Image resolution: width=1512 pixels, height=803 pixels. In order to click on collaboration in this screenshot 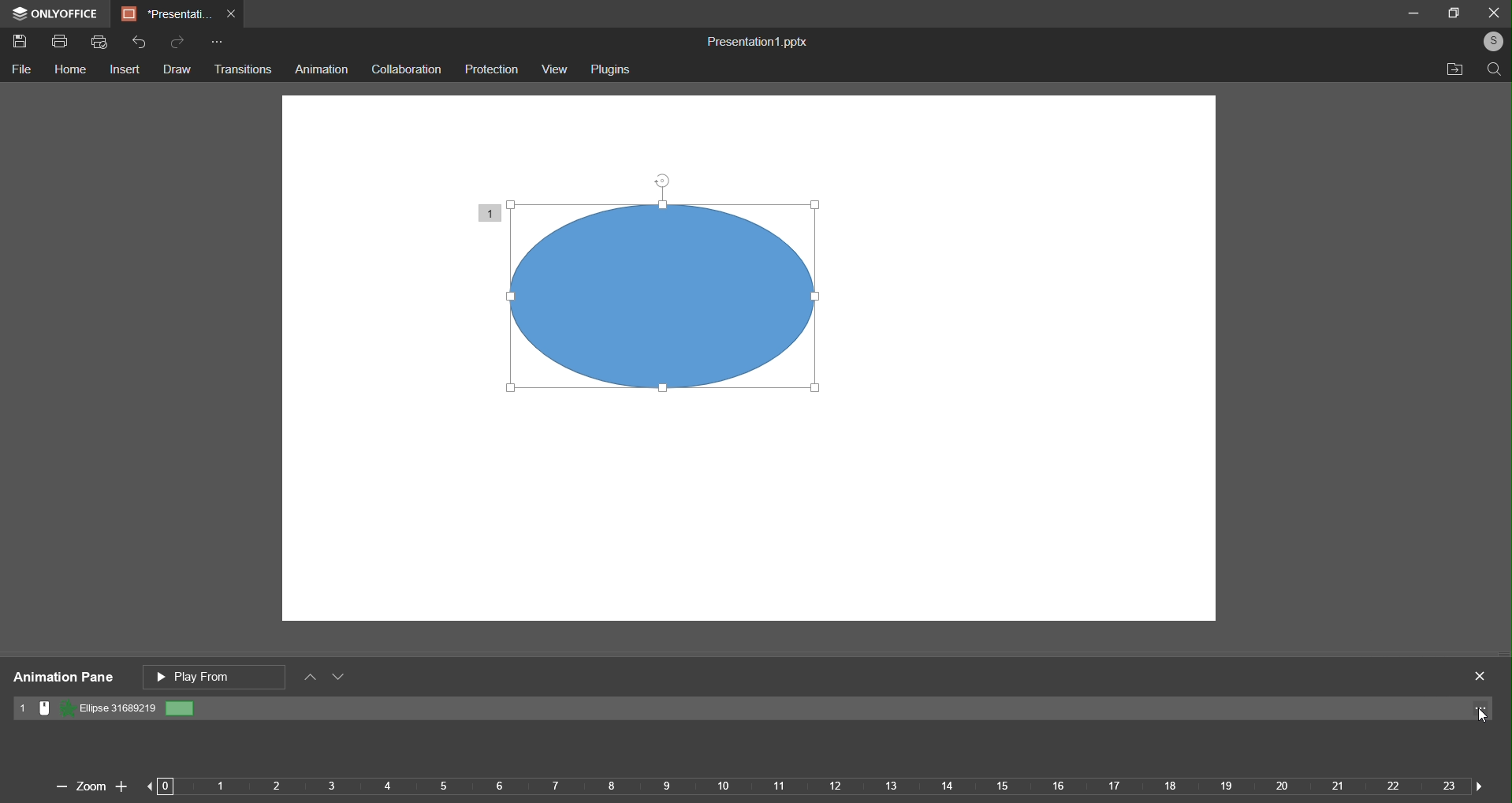, I will do `click(404, 68)`.